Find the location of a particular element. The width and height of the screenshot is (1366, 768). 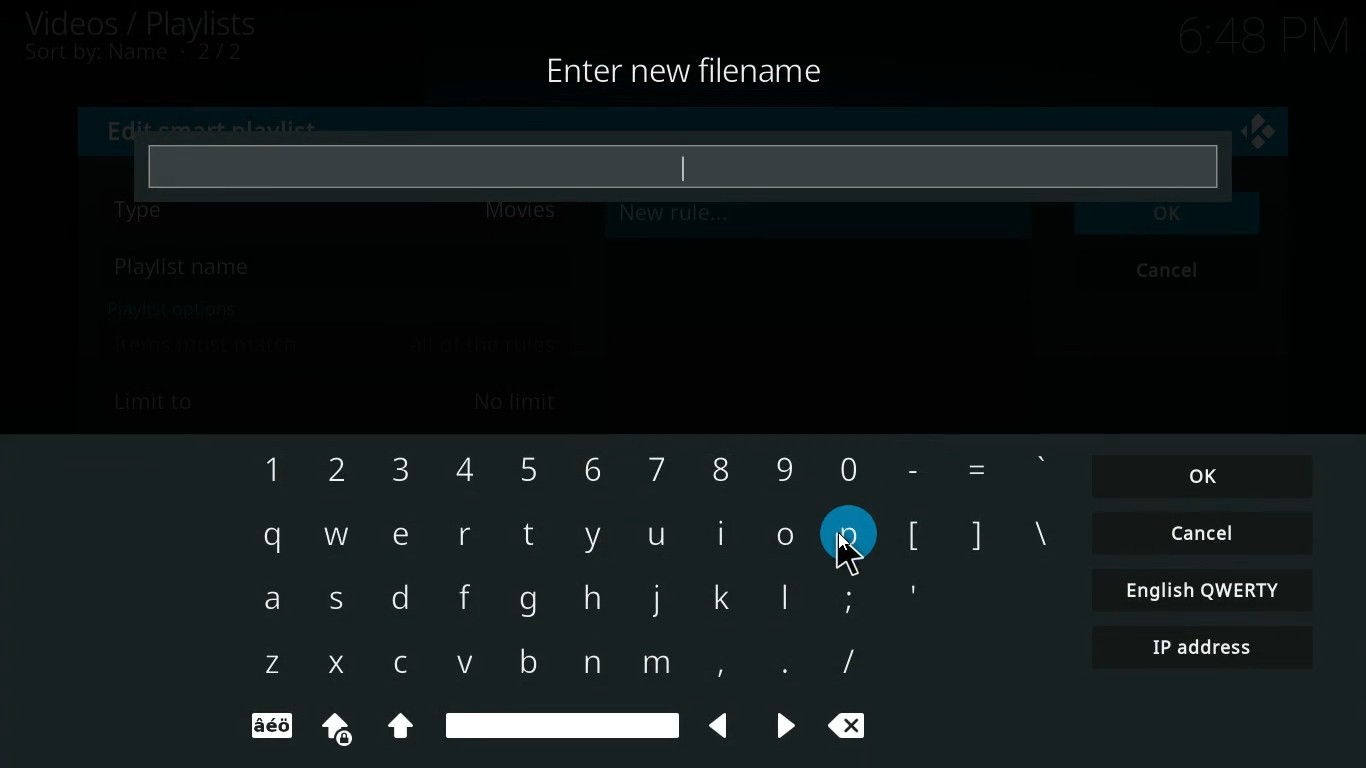

t is located at coordinates (527, 534).